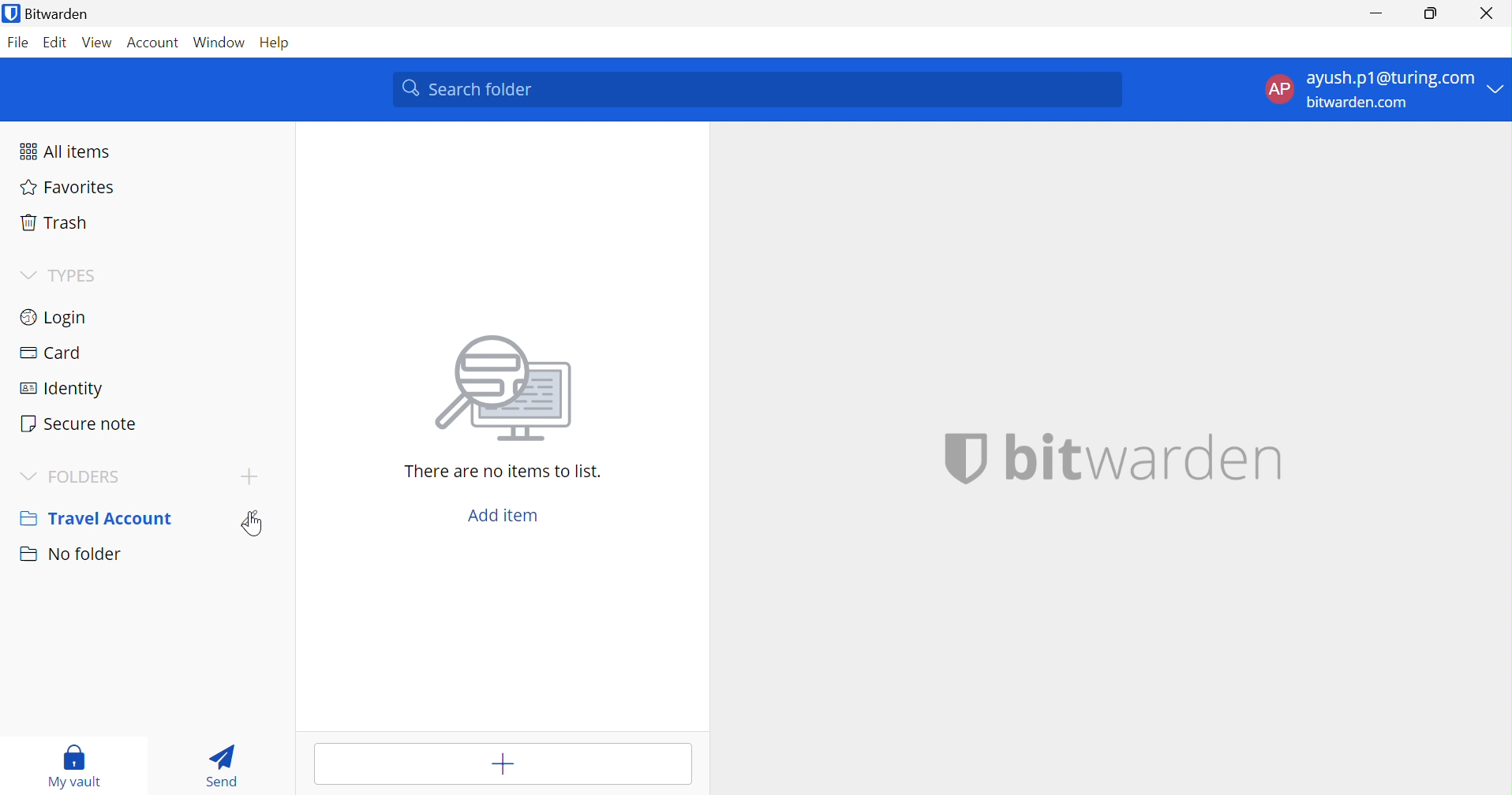 The width and height of the screenshot is (1512, 795). I want to click on TYPES, so click(74, 274).